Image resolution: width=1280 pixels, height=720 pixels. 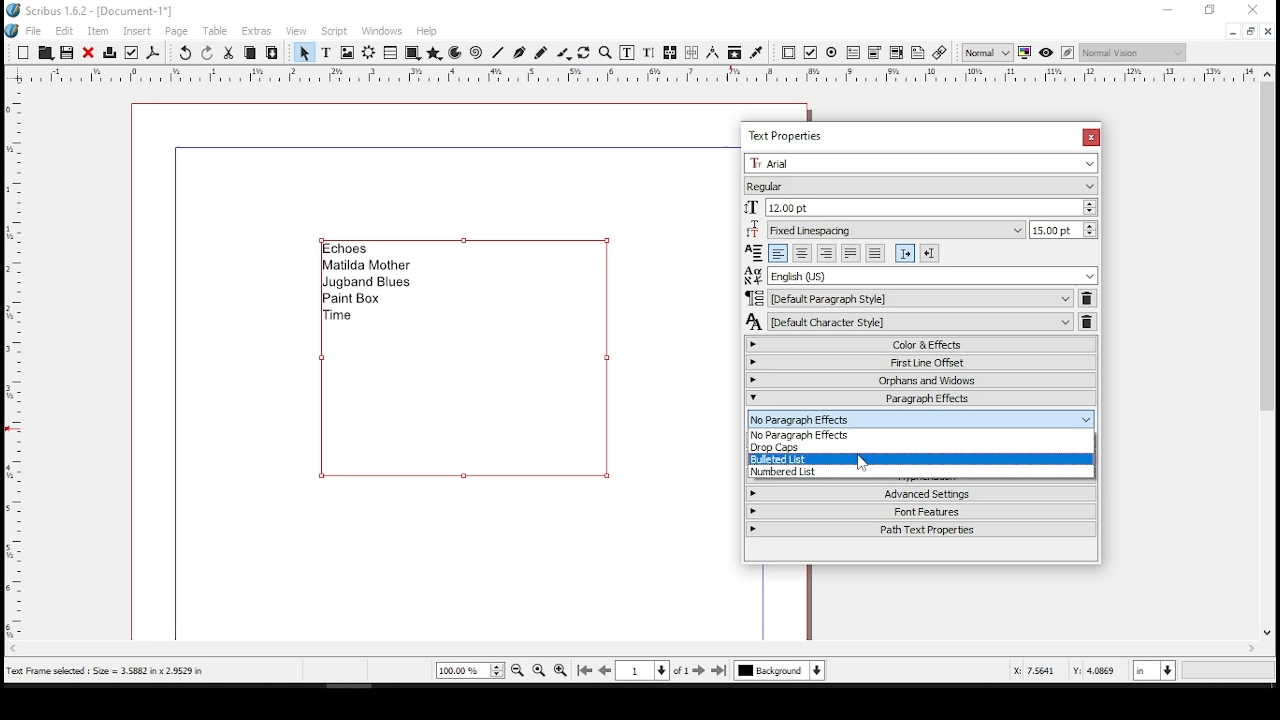 I want to click on print, so click(x=111, y=51).